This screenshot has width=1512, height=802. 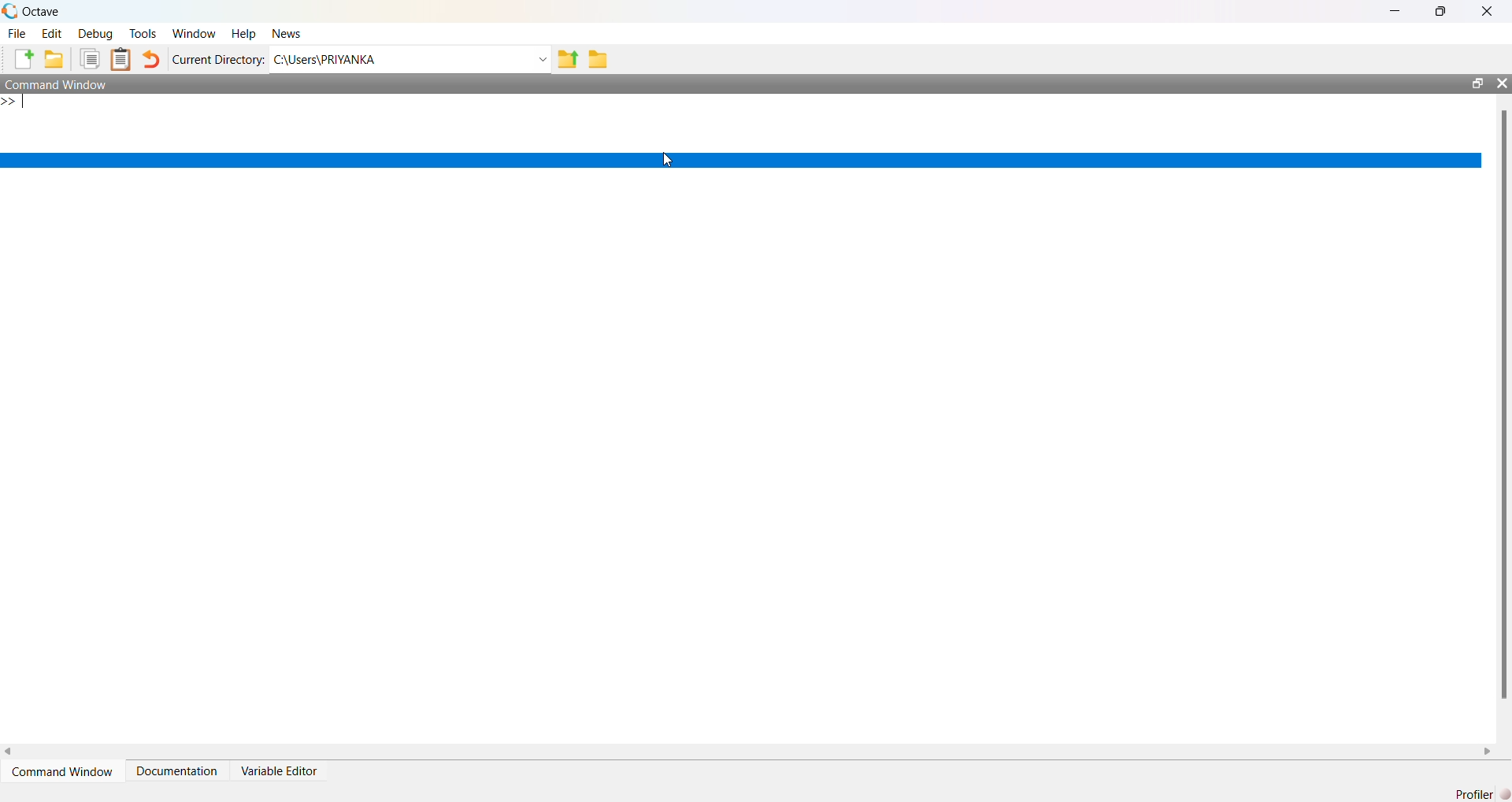 I want to click on Window, so click(x=195, y=34).